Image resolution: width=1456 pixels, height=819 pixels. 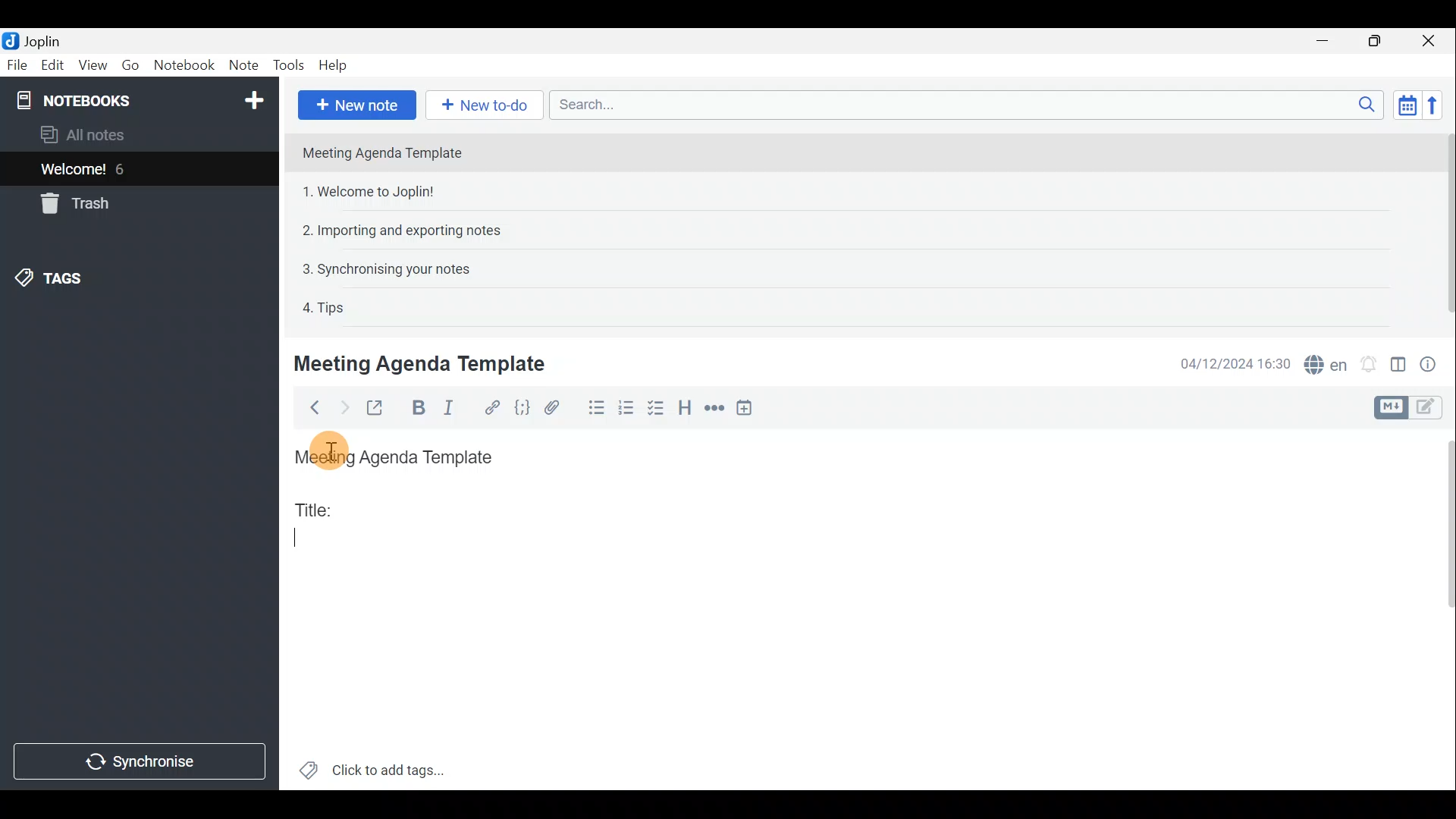 What do you see at coordinates (398, 458) in the screenshot?
I see `Meeting Agenda Template` at bounding box center [398, 458].